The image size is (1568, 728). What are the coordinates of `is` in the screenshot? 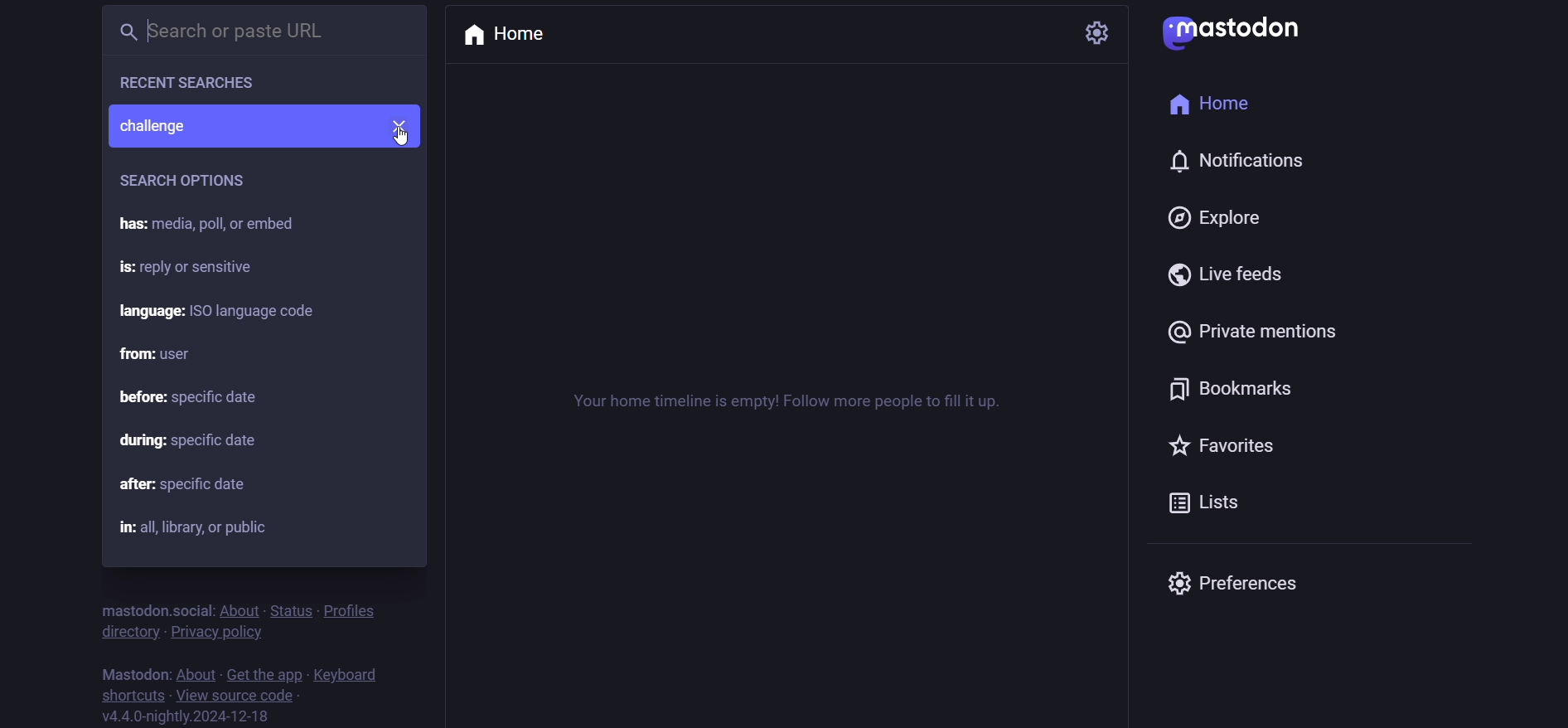 It's located at (193, 269).